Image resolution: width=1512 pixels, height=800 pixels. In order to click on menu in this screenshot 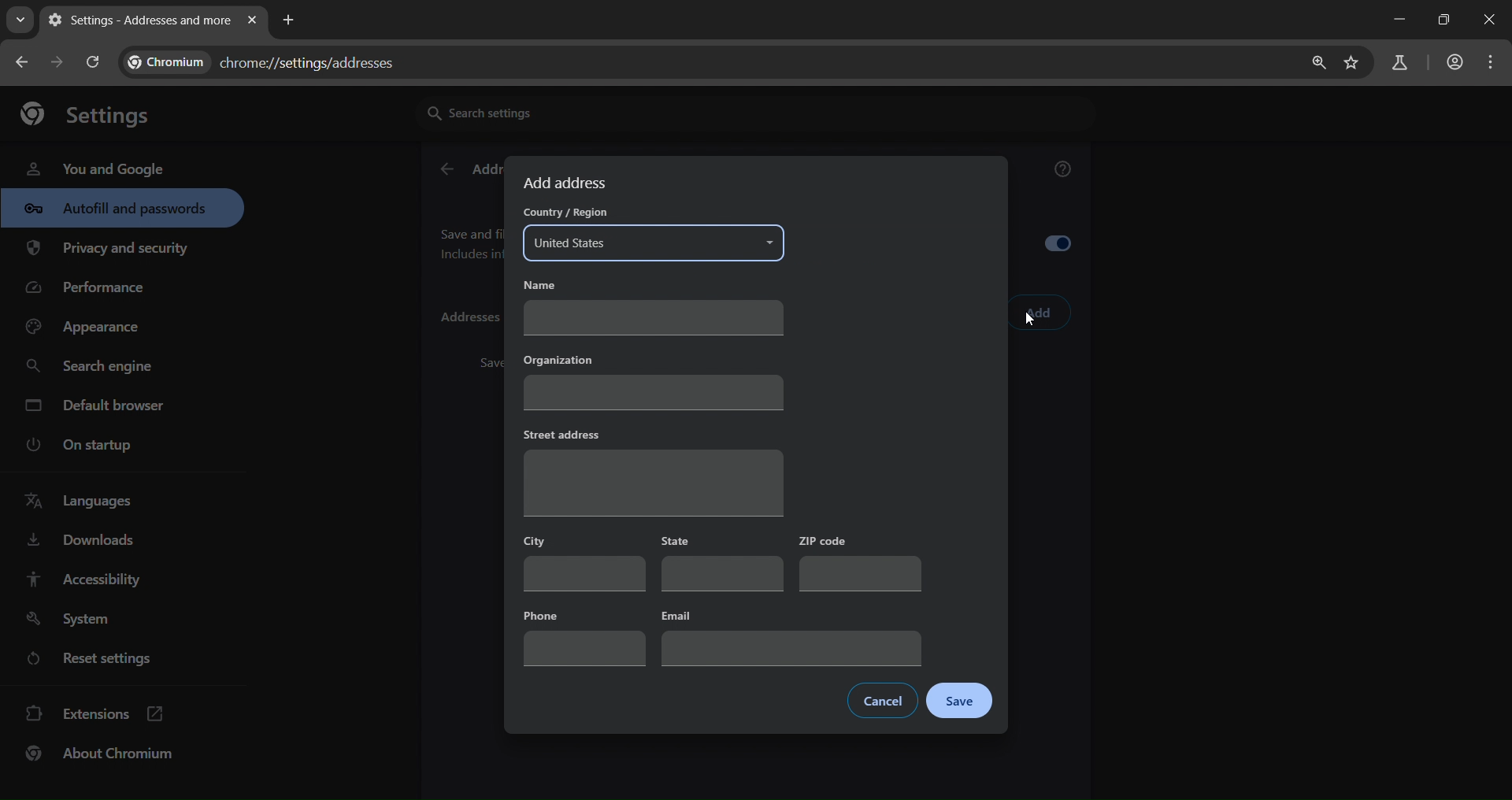, I will do `click(1495, 62)`.